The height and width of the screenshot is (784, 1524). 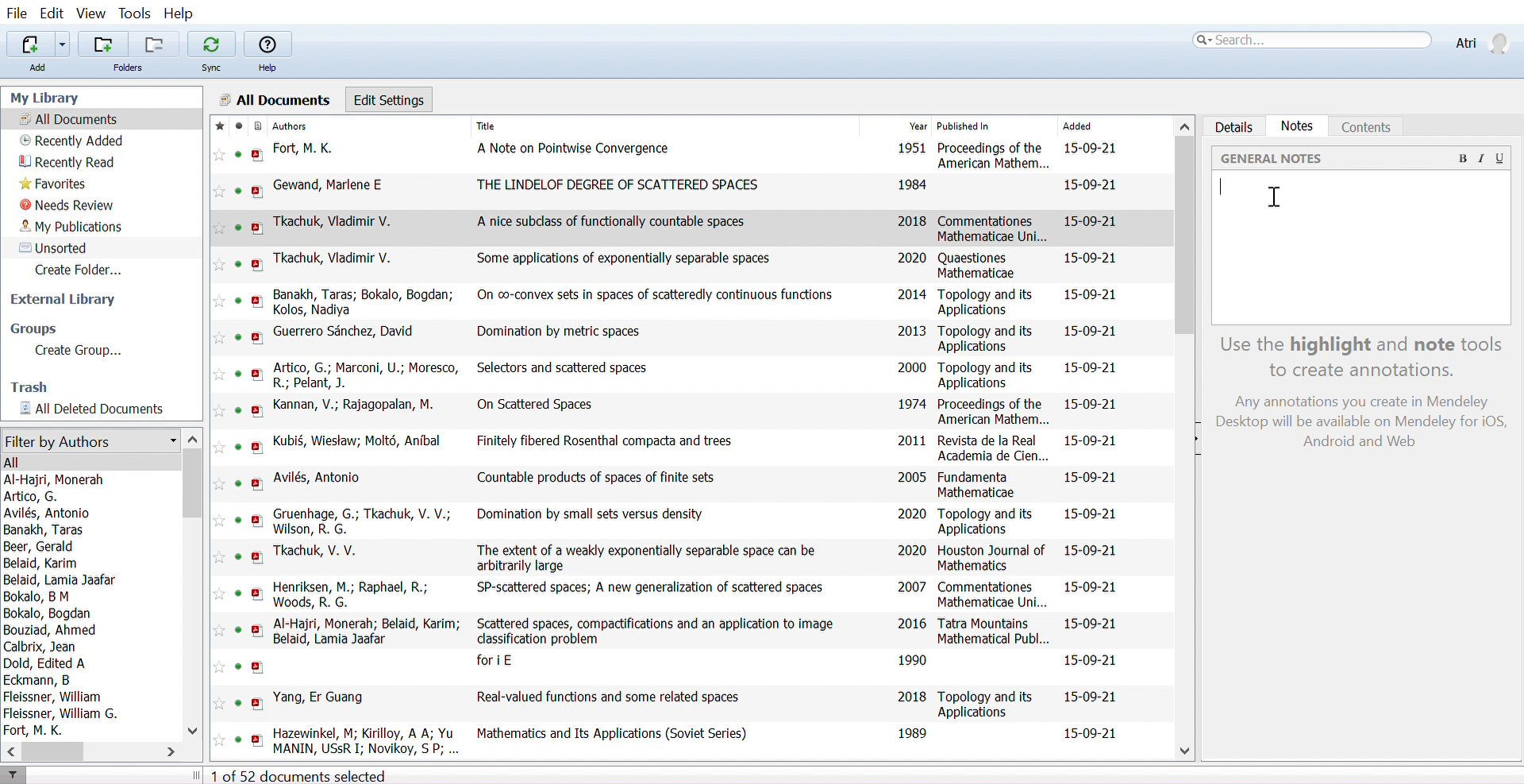 I want to click on Bokalo, Bogdan, so click(x=52, y=614).